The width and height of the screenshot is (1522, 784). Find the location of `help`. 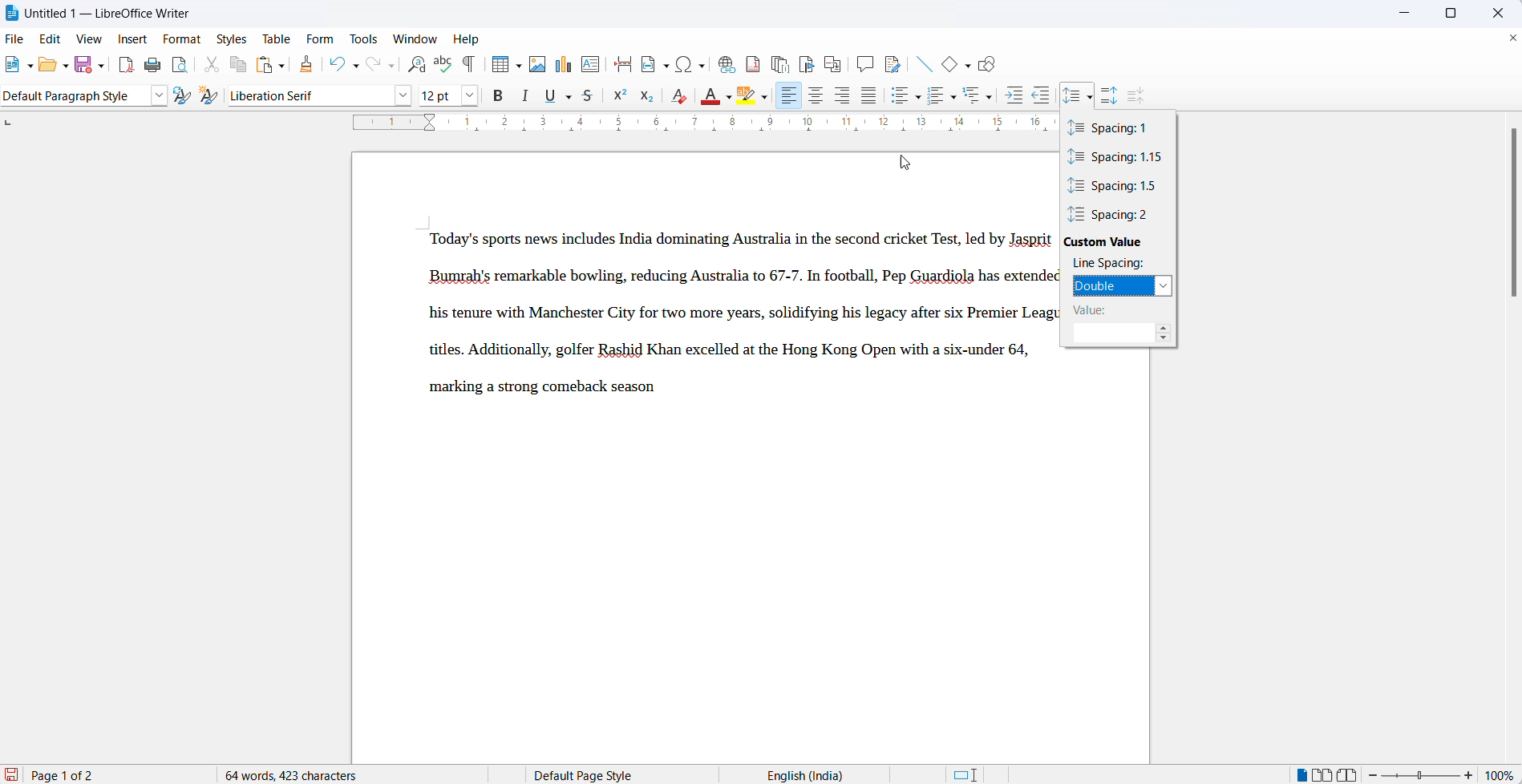

help is located at coordinates (473, 40).